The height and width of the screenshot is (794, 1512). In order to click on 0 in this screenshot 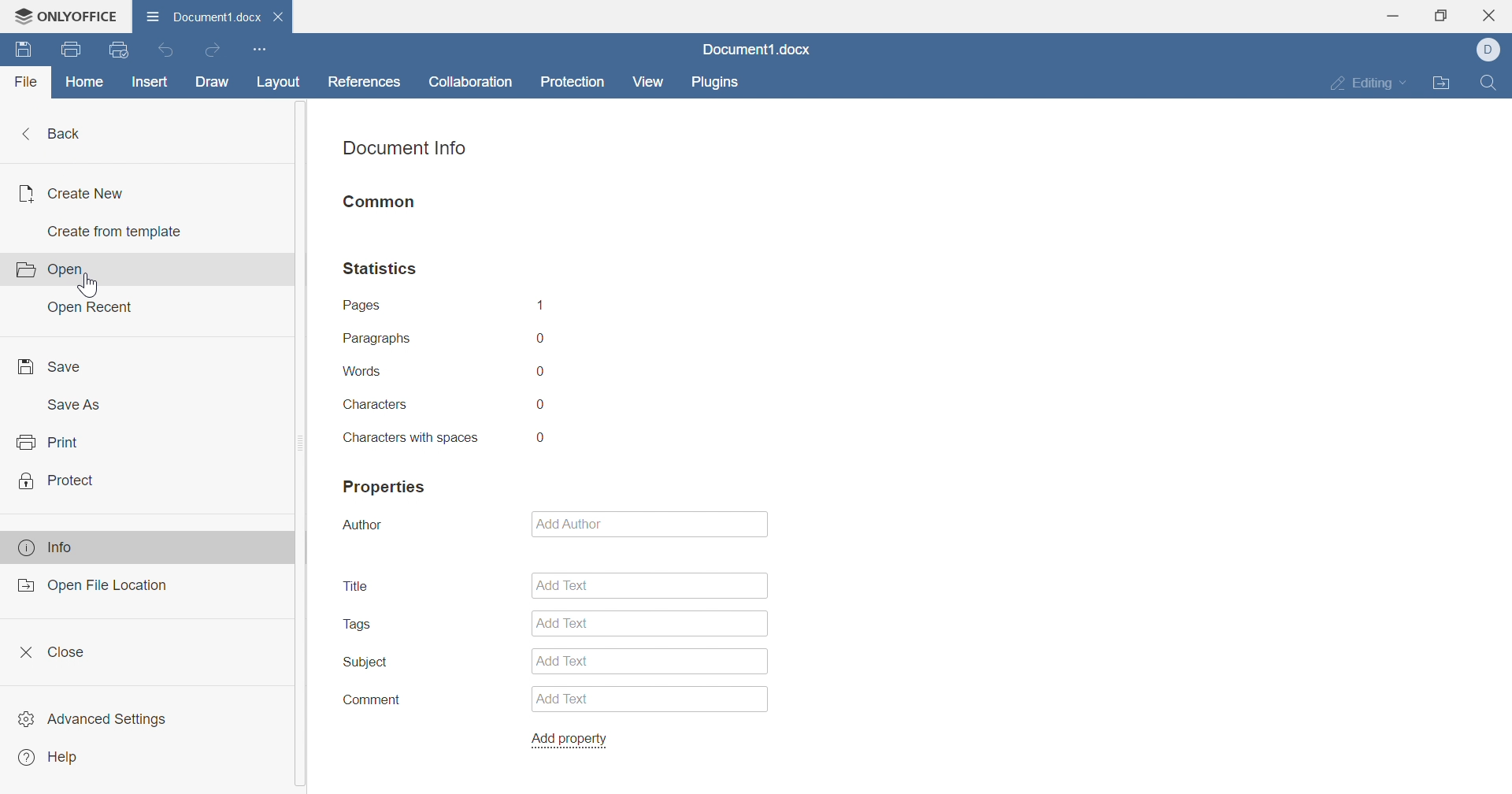, I will do `click(539, 369)`.